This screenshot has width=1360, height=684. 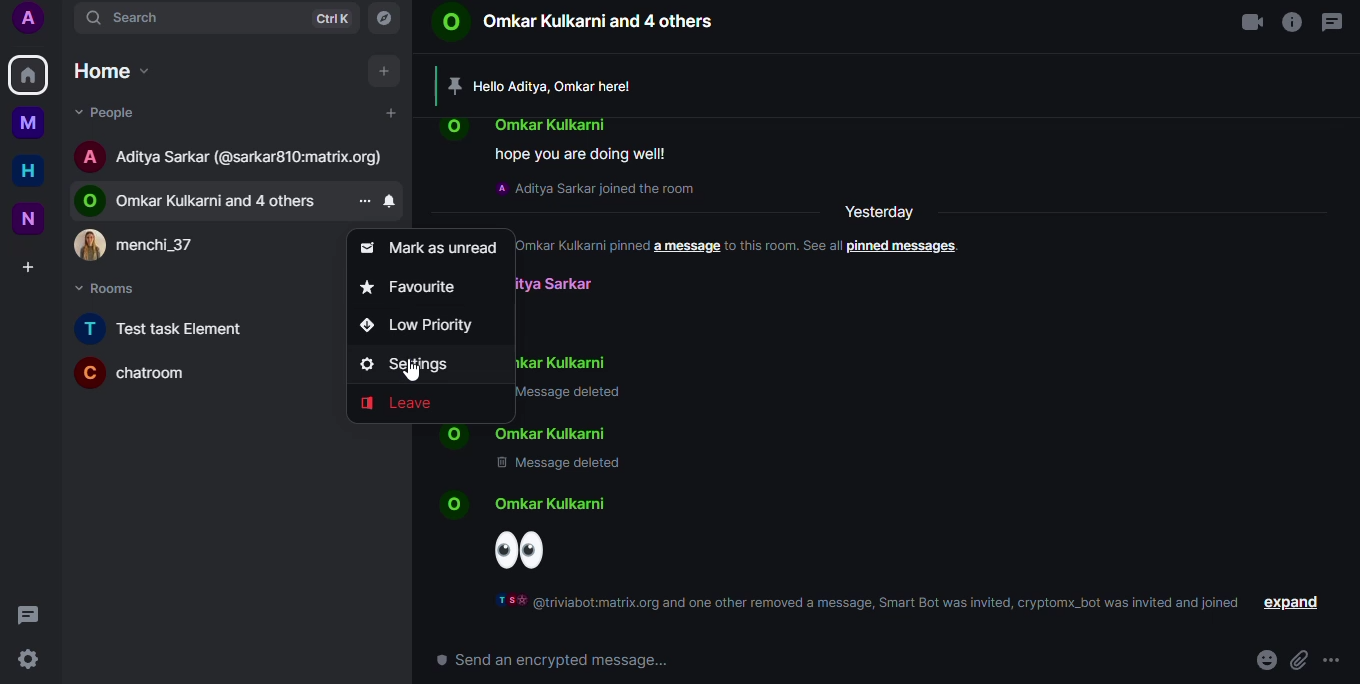 I want to click on home, so click(x=27, y=172).